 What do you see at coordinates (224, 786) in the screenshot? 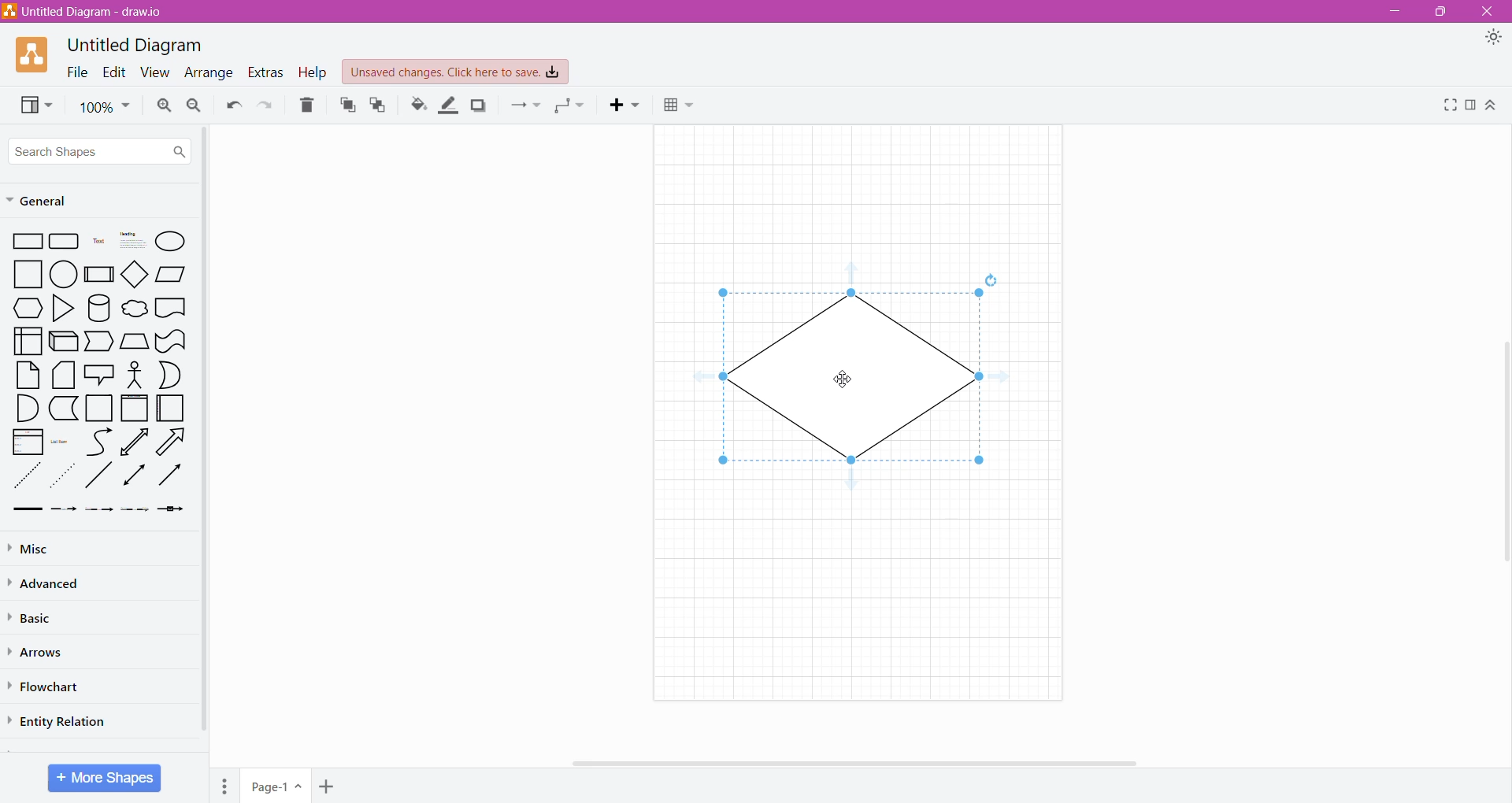
I see `Pages` at bounding box center [224, 786].